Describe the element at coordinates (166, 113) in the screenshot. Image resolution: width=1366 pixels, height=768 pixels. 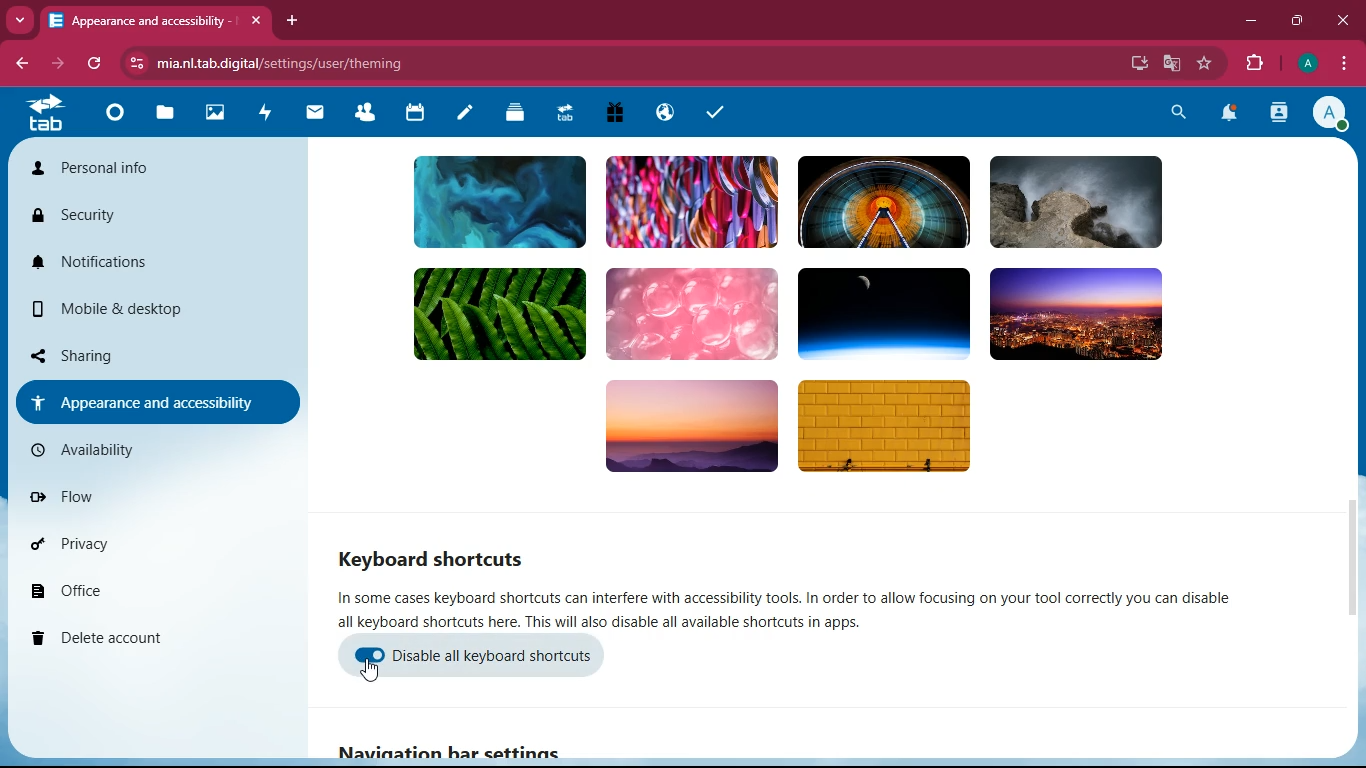
I see `files` at that location.